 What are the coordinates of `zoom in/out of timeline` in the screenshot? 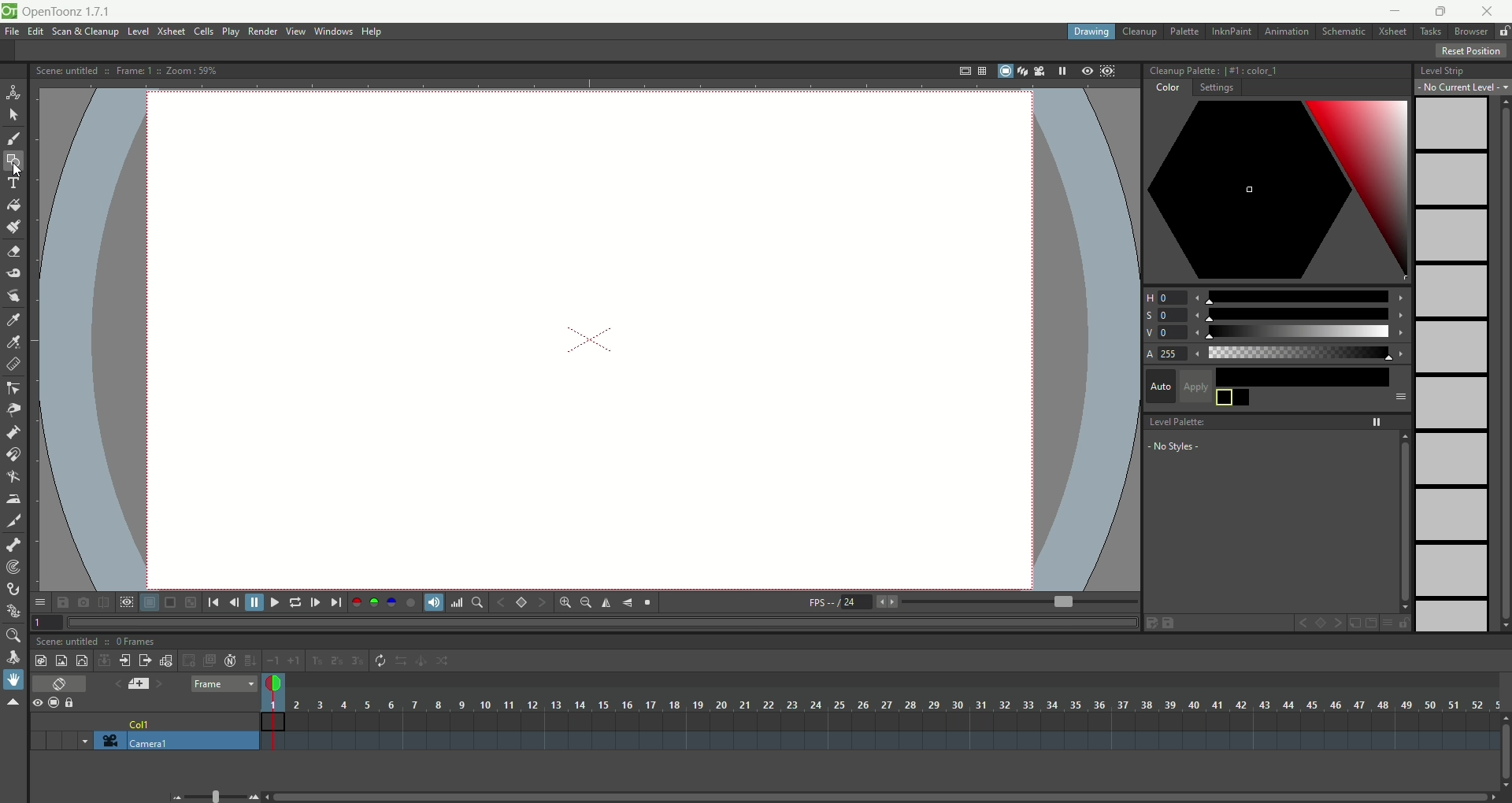 It's located at (215, 795).